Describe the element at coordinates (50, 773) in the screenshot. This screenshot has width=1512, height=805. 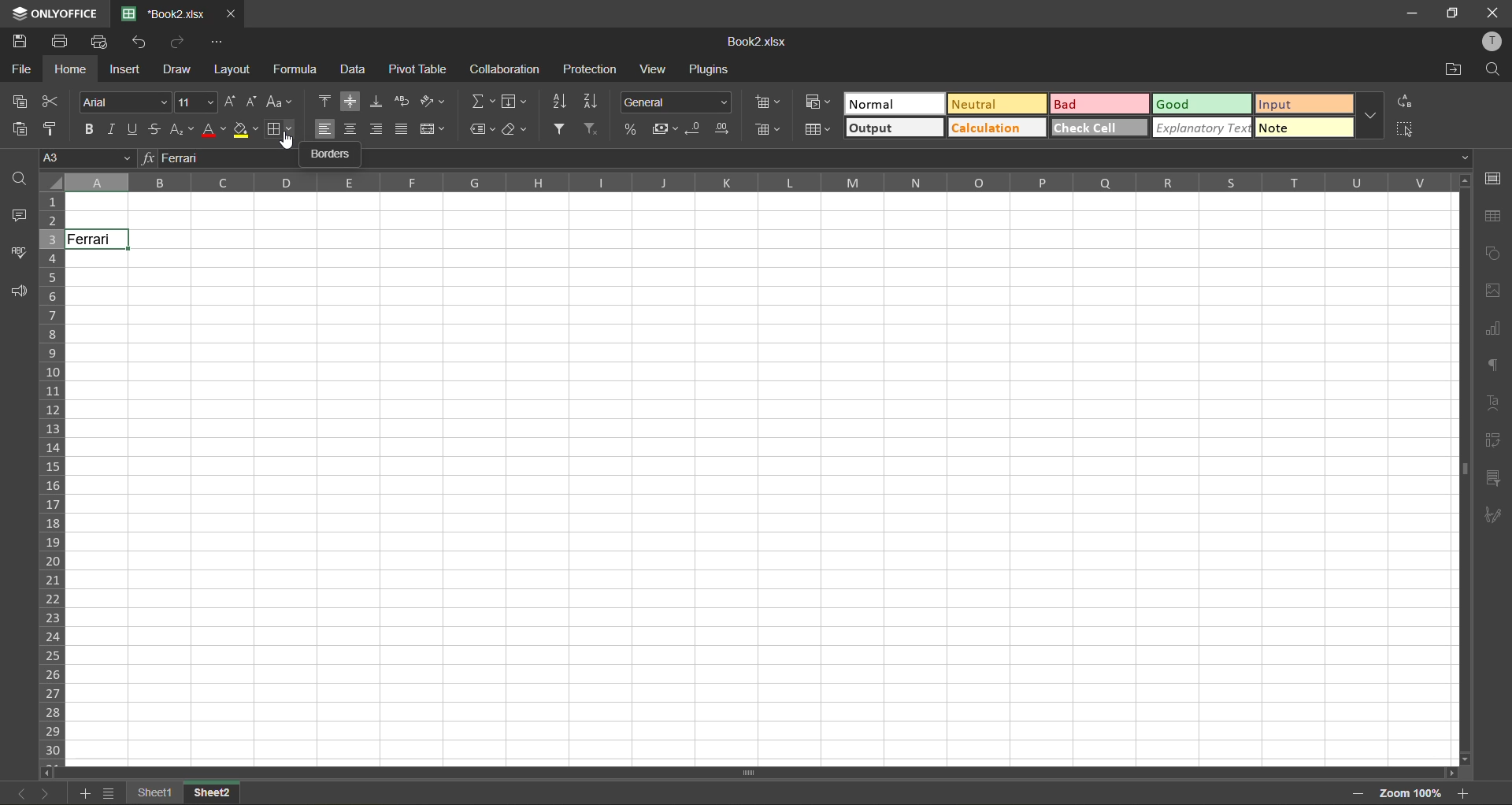
I see `scroll left` at that location.